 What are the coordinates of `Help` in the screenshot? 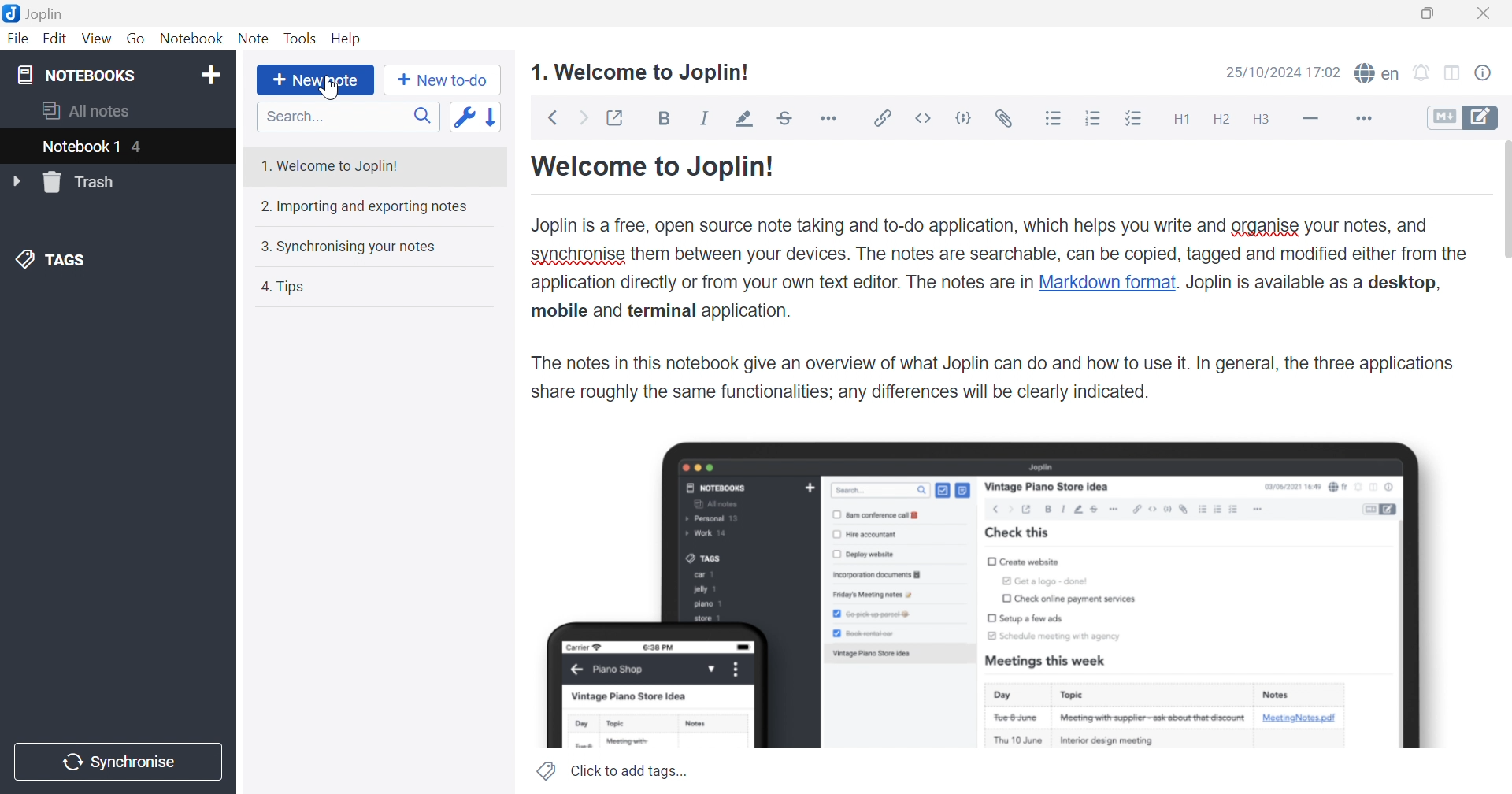 It's located at (351, 39).